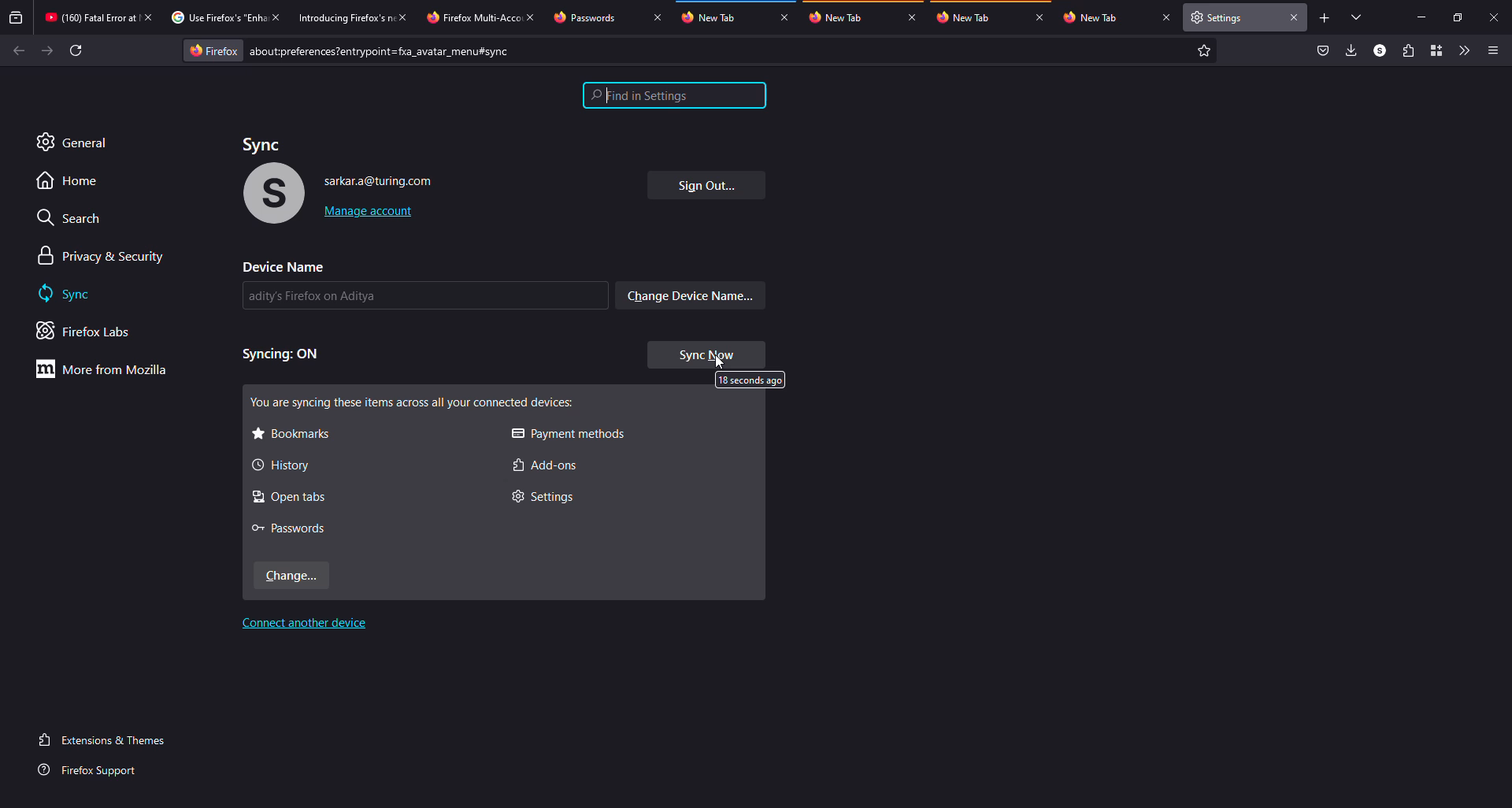  What do you see at coordinates (102, 739) in the screenshot?
I see `extensions & themes` at bounding box center [102, 739].